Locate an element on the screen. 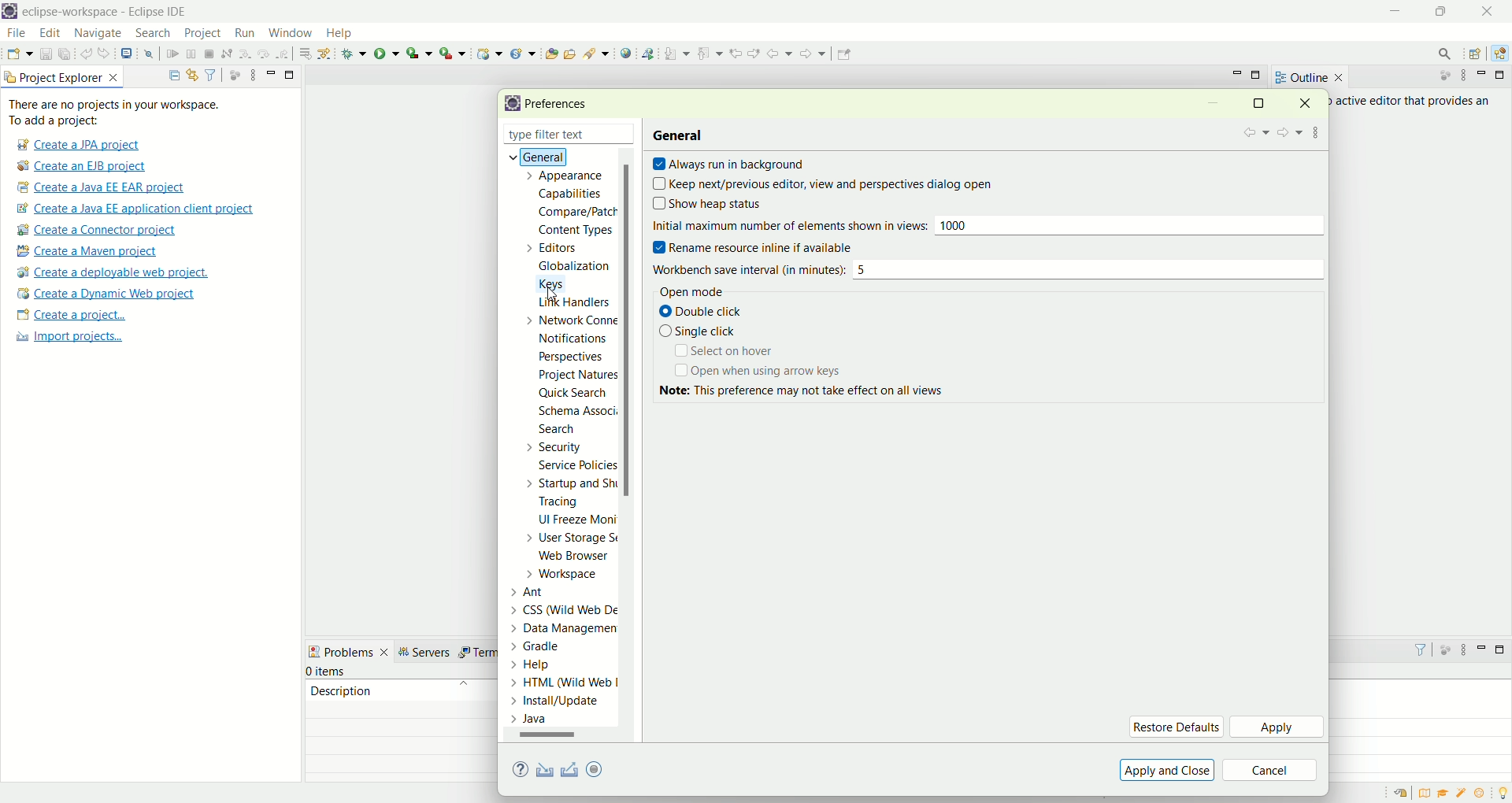  description is located at coordinates (341, 690).